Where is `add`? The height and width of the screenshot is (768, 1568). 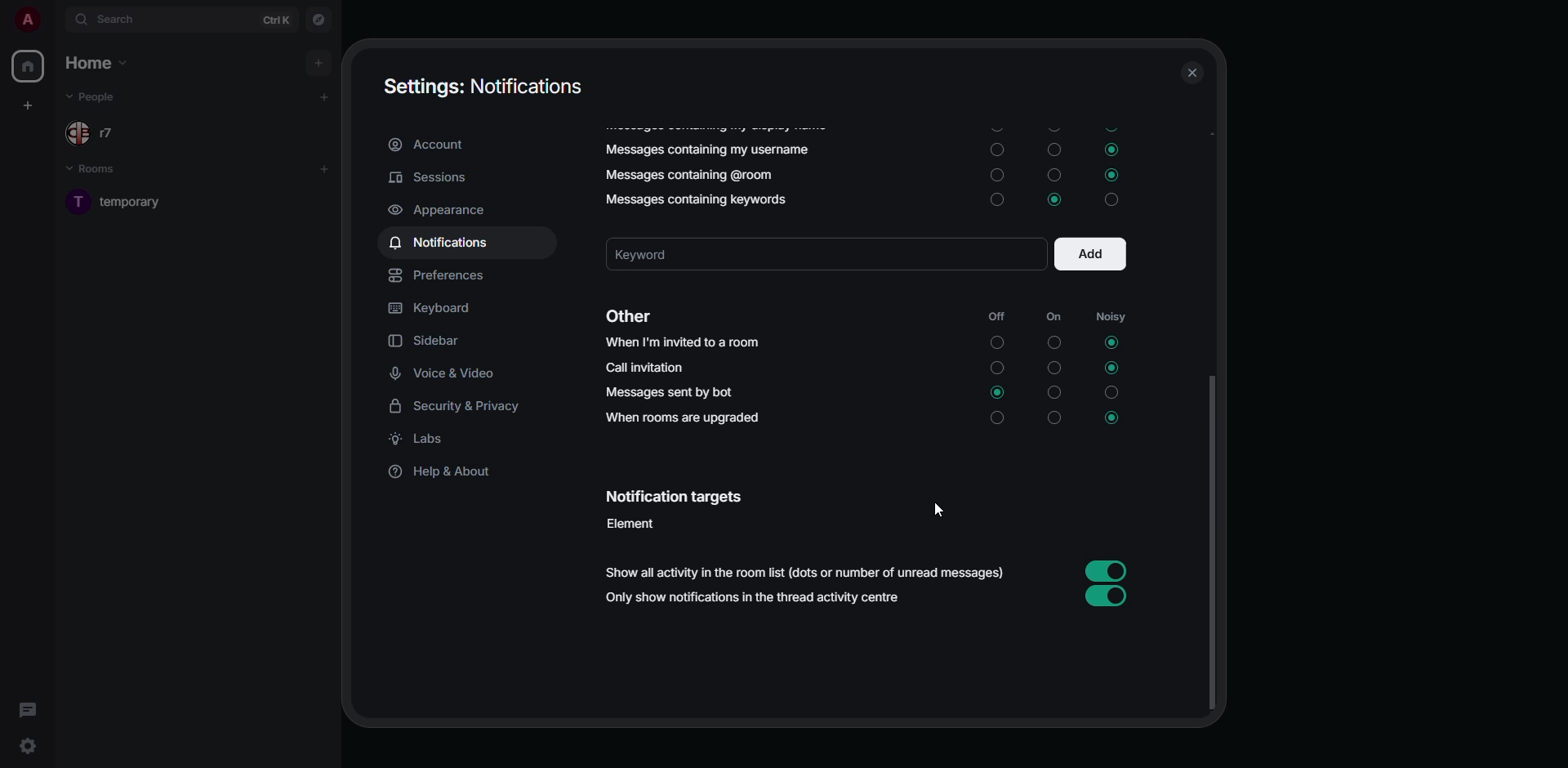 add is located at coordinates (319, 64).